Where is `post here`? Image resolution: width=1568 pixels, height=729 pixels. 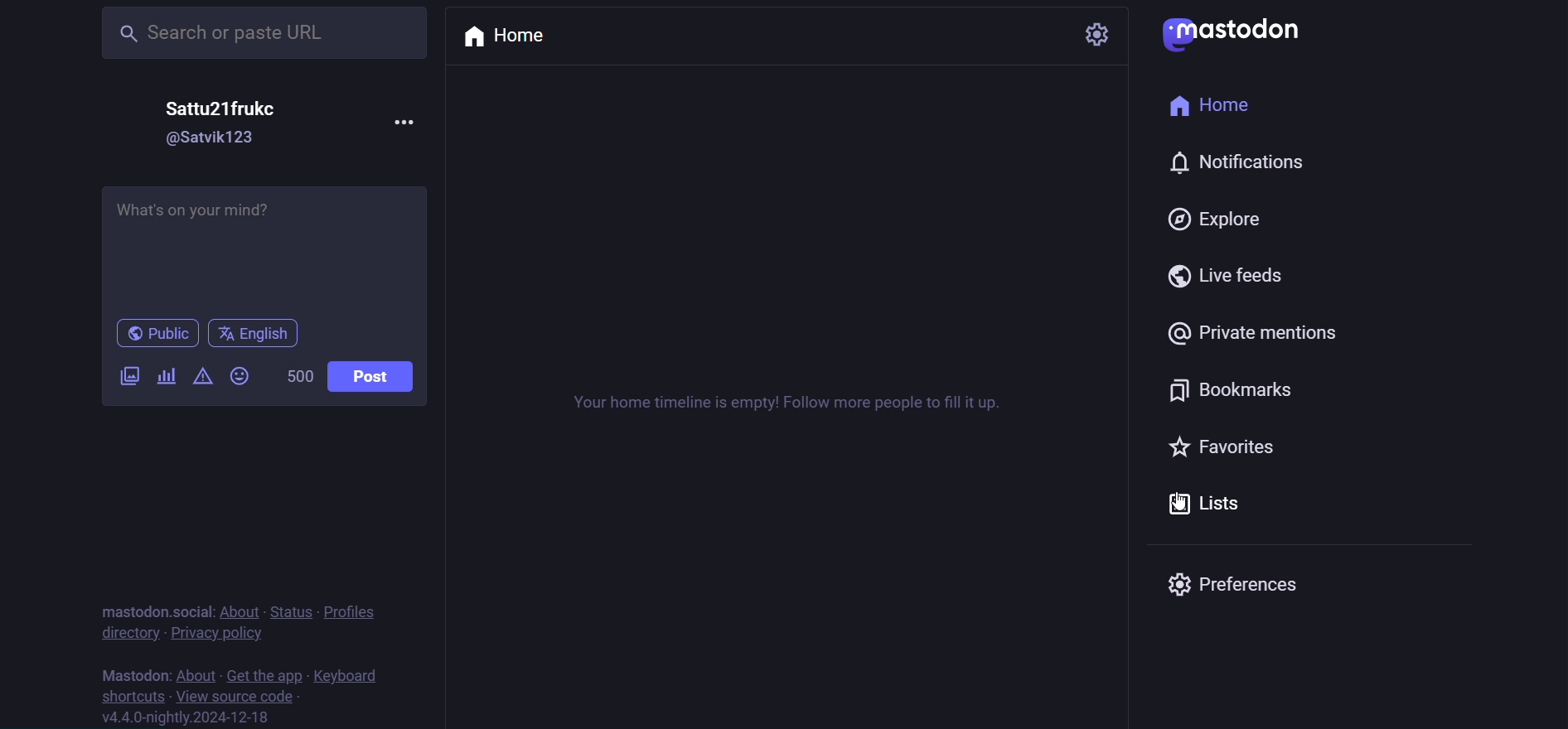
post here is located at coordinates (267, 246).